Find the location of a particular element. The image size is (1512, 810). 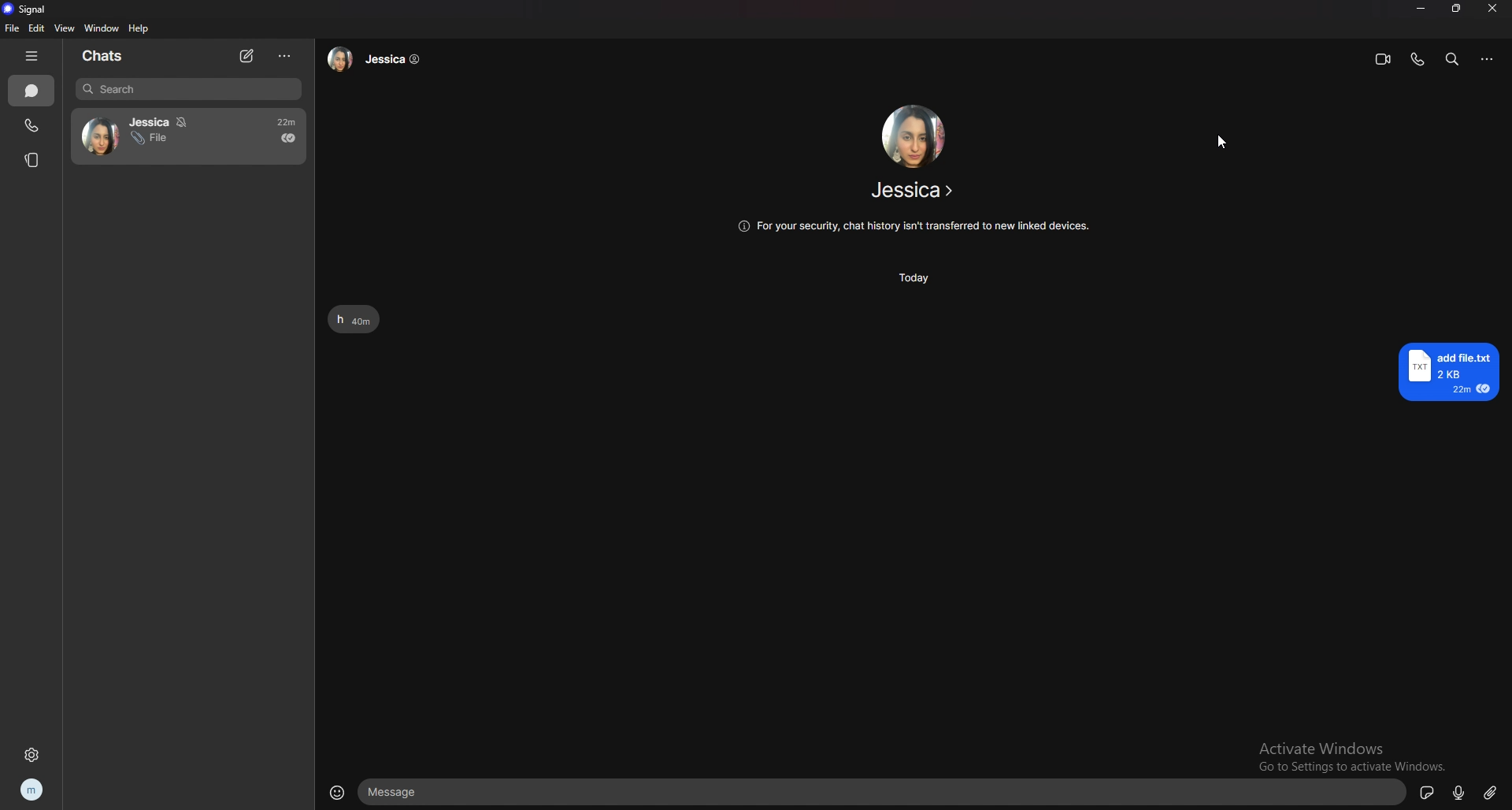

Today is located at coordinates (913, 277).